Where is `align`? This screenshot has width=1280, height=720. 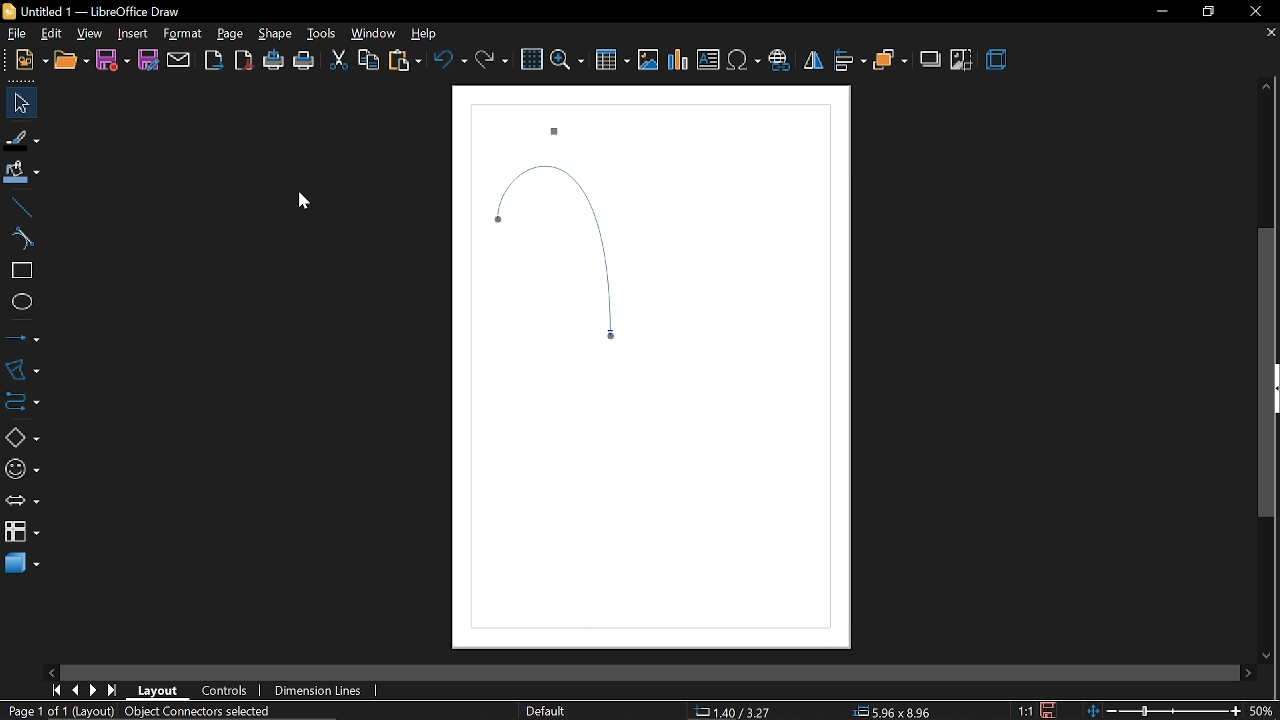
align is located at coordinates (850, 62).